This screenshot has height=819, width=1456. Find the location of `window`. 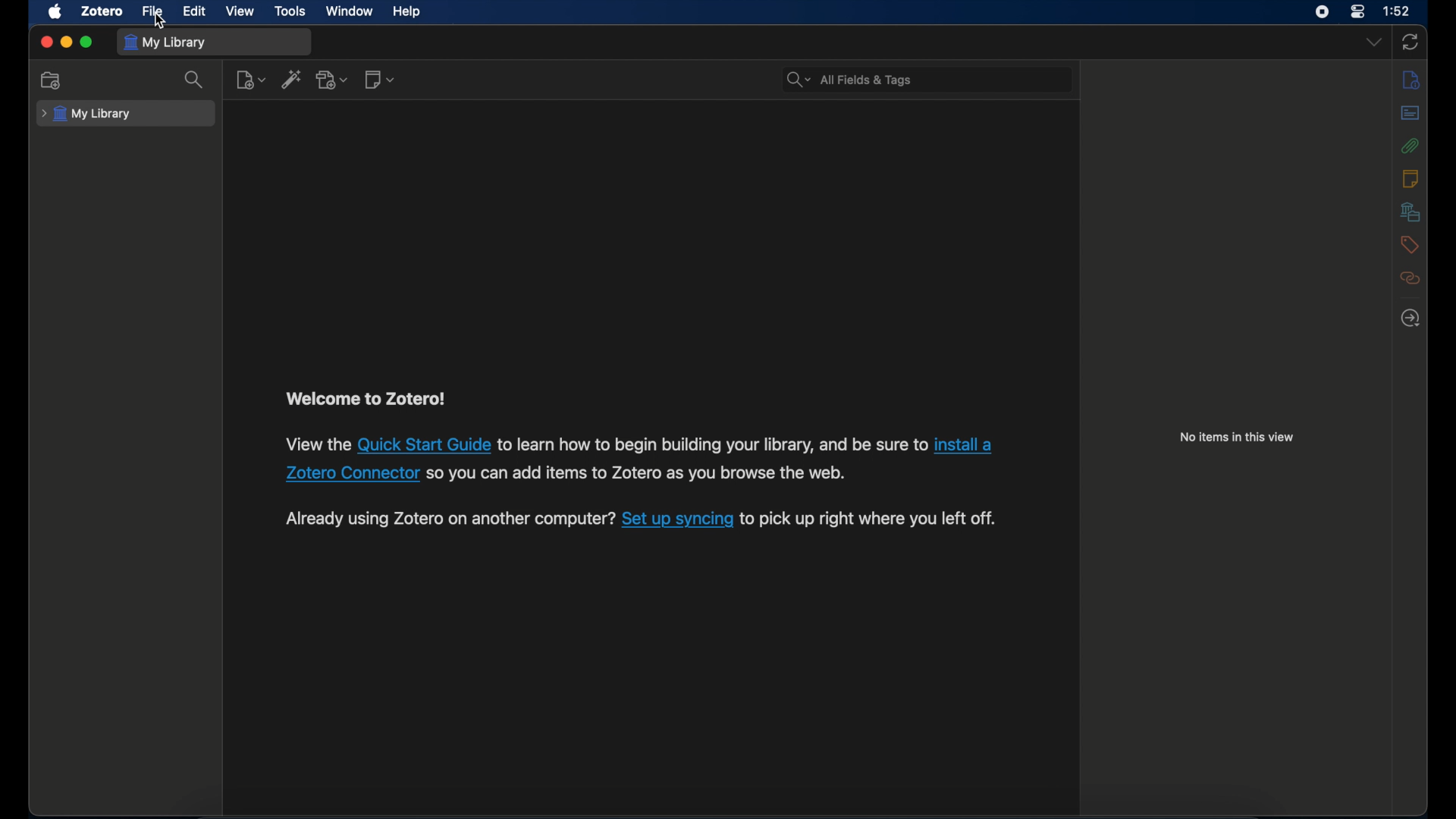

window is located at coordinates (350, 11).